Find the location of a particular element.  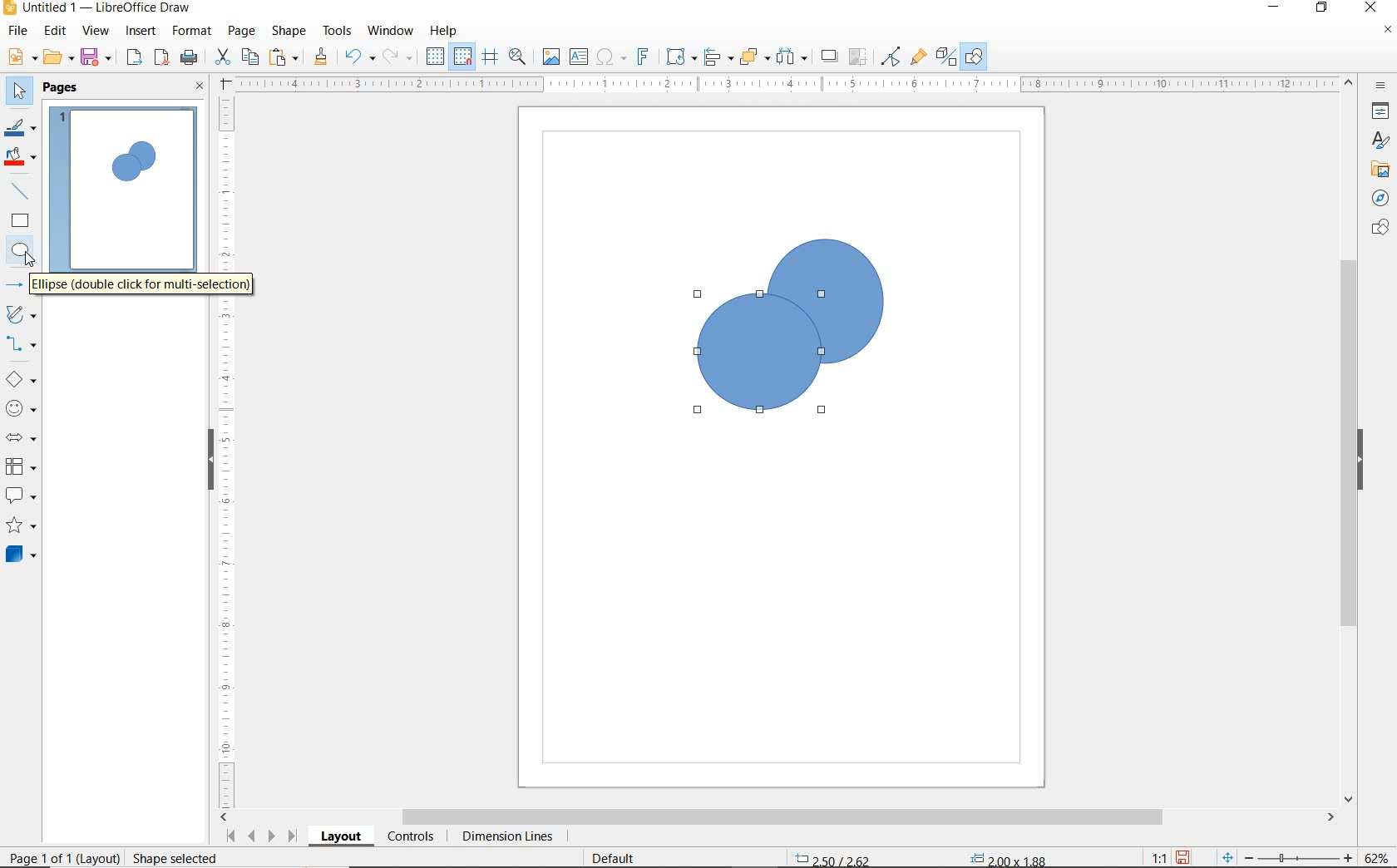

ELLIPSE TOOL is located at coordinates (770, 368).